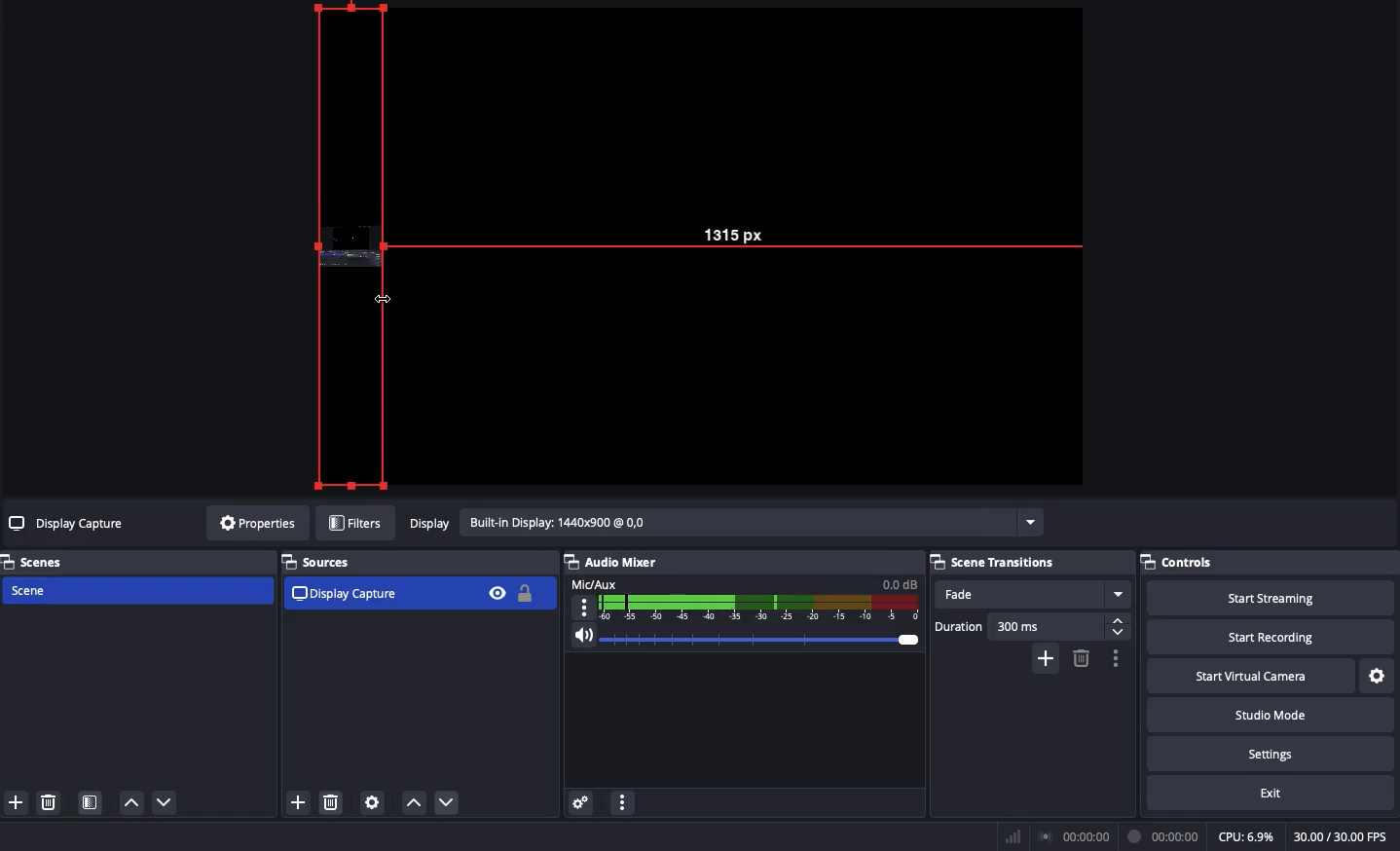  I want to click on Up, so click(413, 804).